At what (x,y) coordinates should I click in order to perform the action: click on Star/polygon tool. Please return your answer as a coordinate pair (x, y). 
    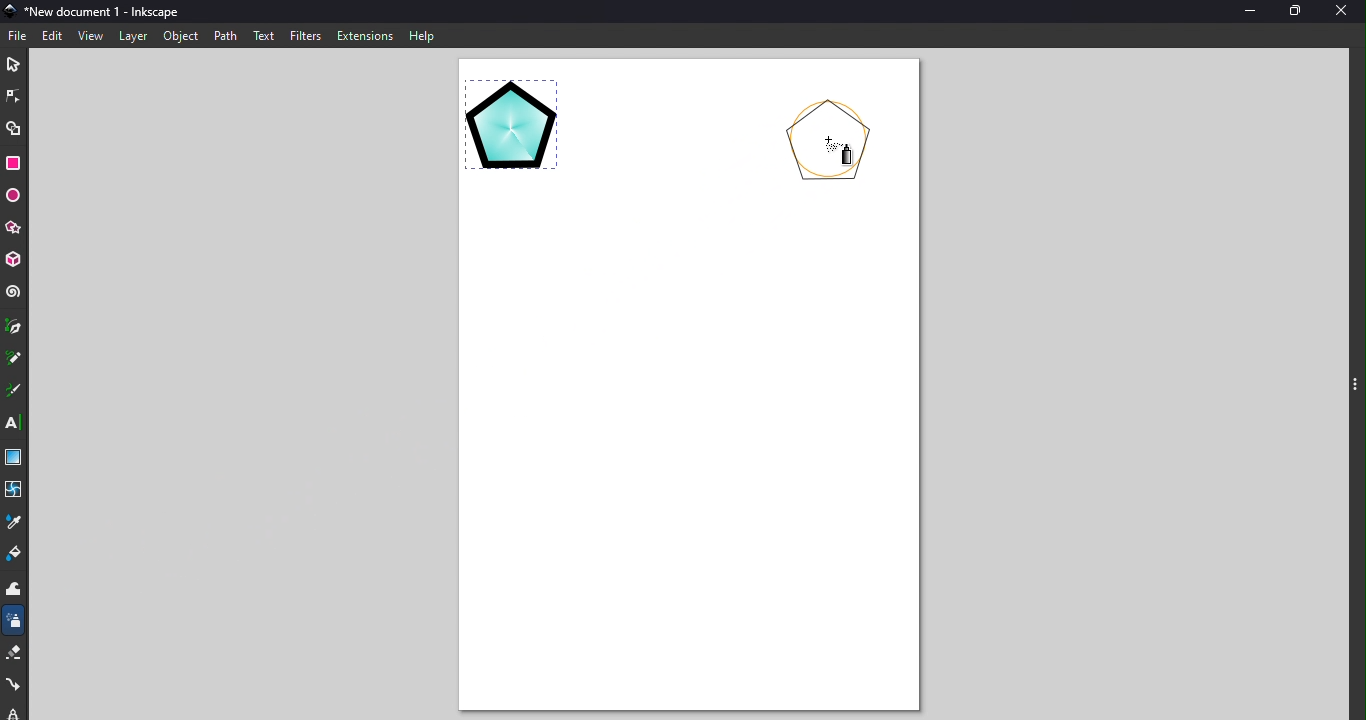
    Looking at the image, I should click on (16, 227).